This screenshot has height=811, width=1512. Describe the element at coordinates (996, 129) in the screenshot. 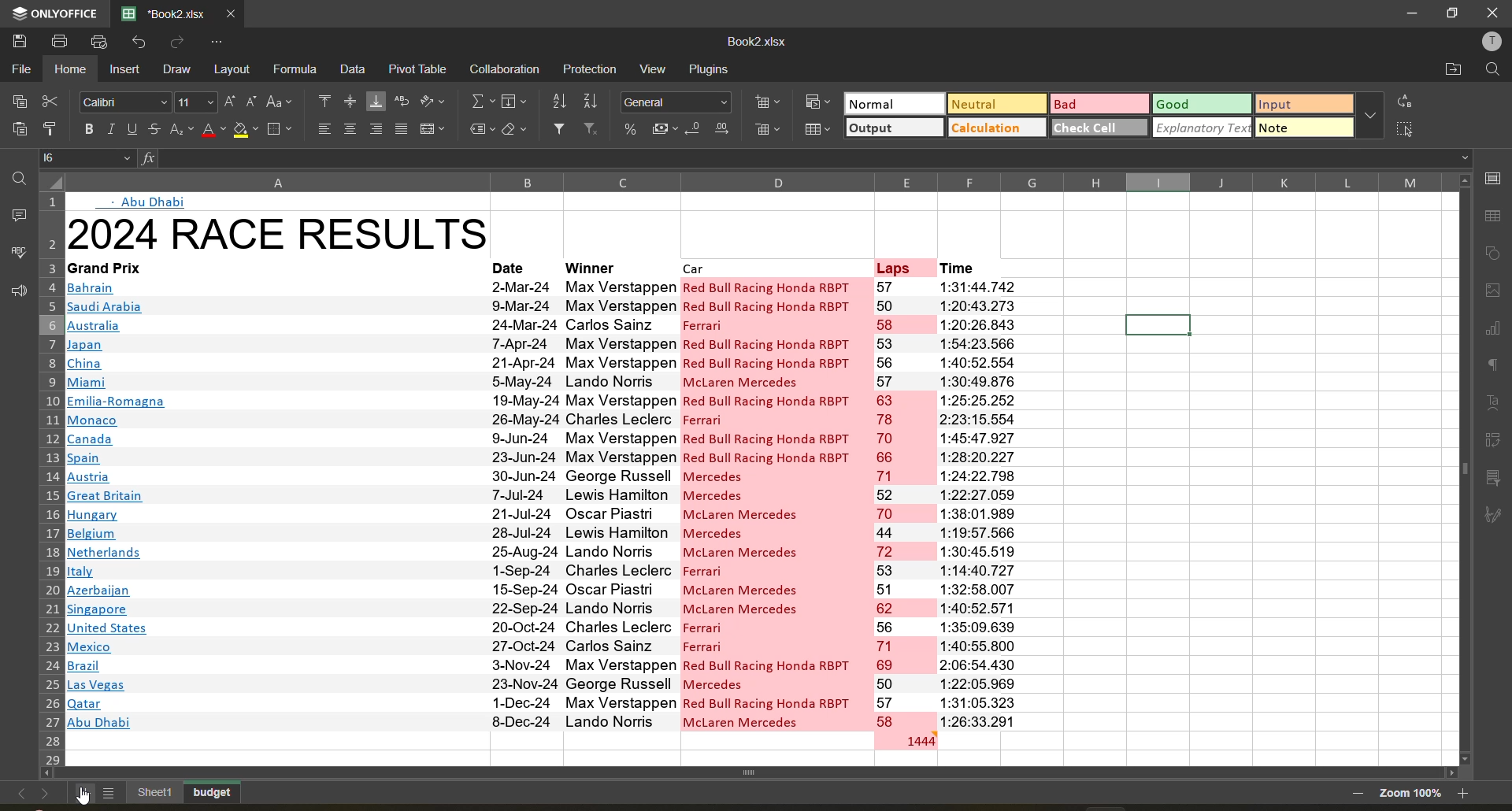

I see `calculation` at that location.